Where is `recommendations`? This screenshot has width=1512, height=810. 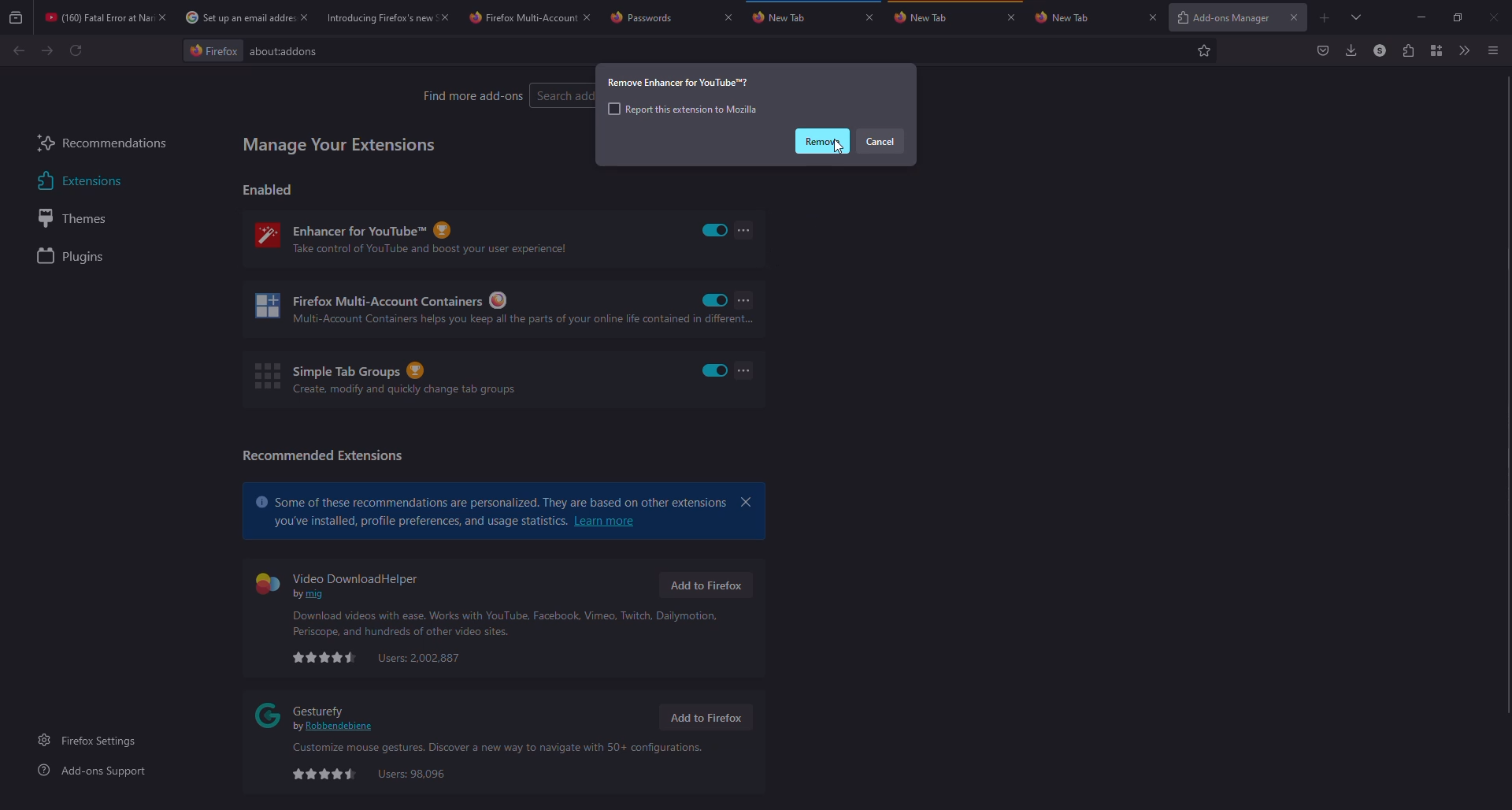
recommendations is located at coordinates (102, 145).